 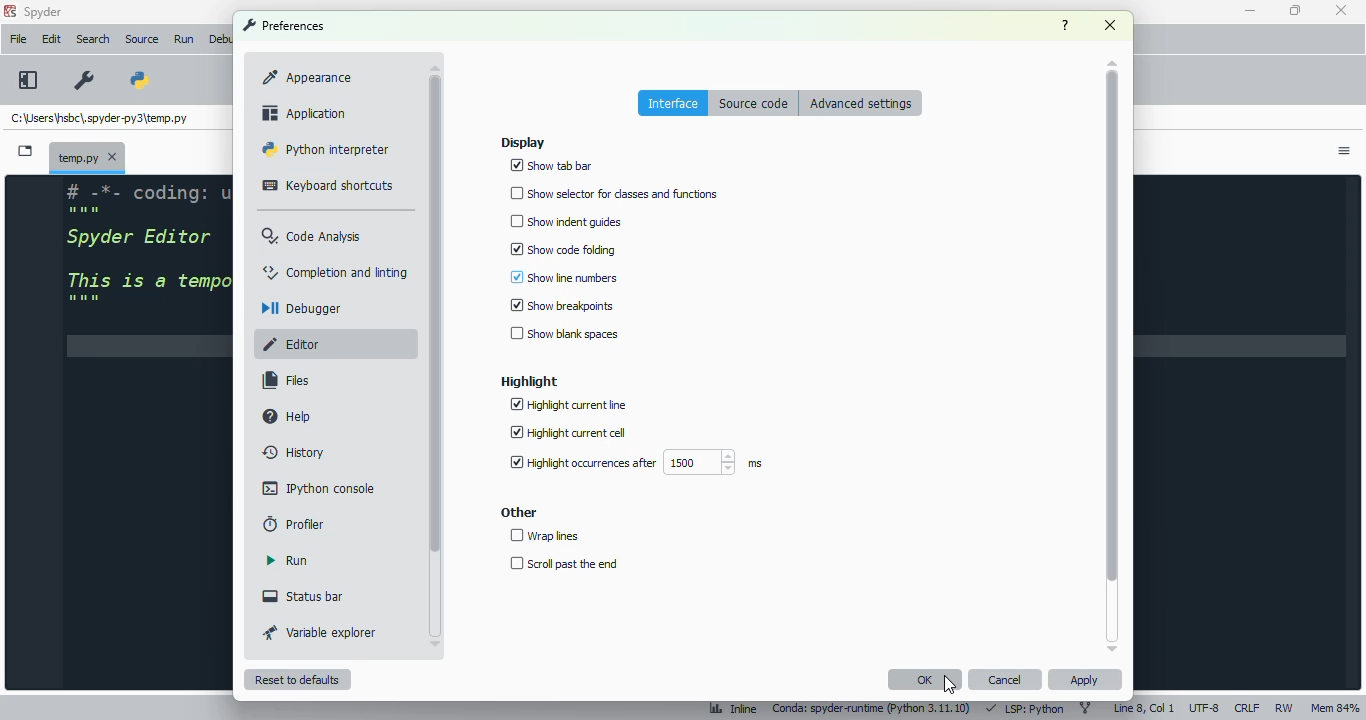 What do you see at coordinates (94, 39) in the screenshot?
I see `search` at bounding box center [94, 39].